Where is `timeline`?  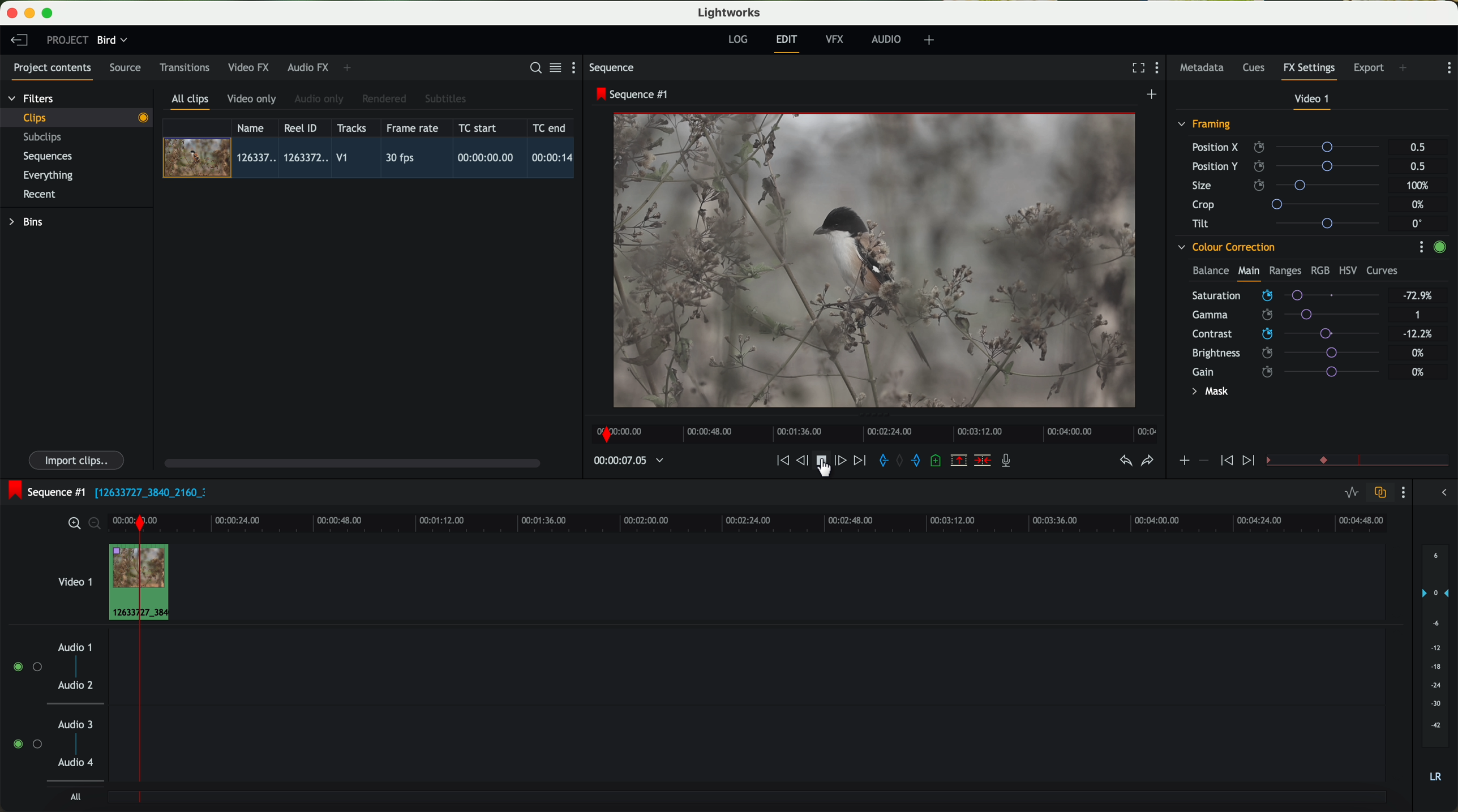
timeline is located at coordinates (871, 431).